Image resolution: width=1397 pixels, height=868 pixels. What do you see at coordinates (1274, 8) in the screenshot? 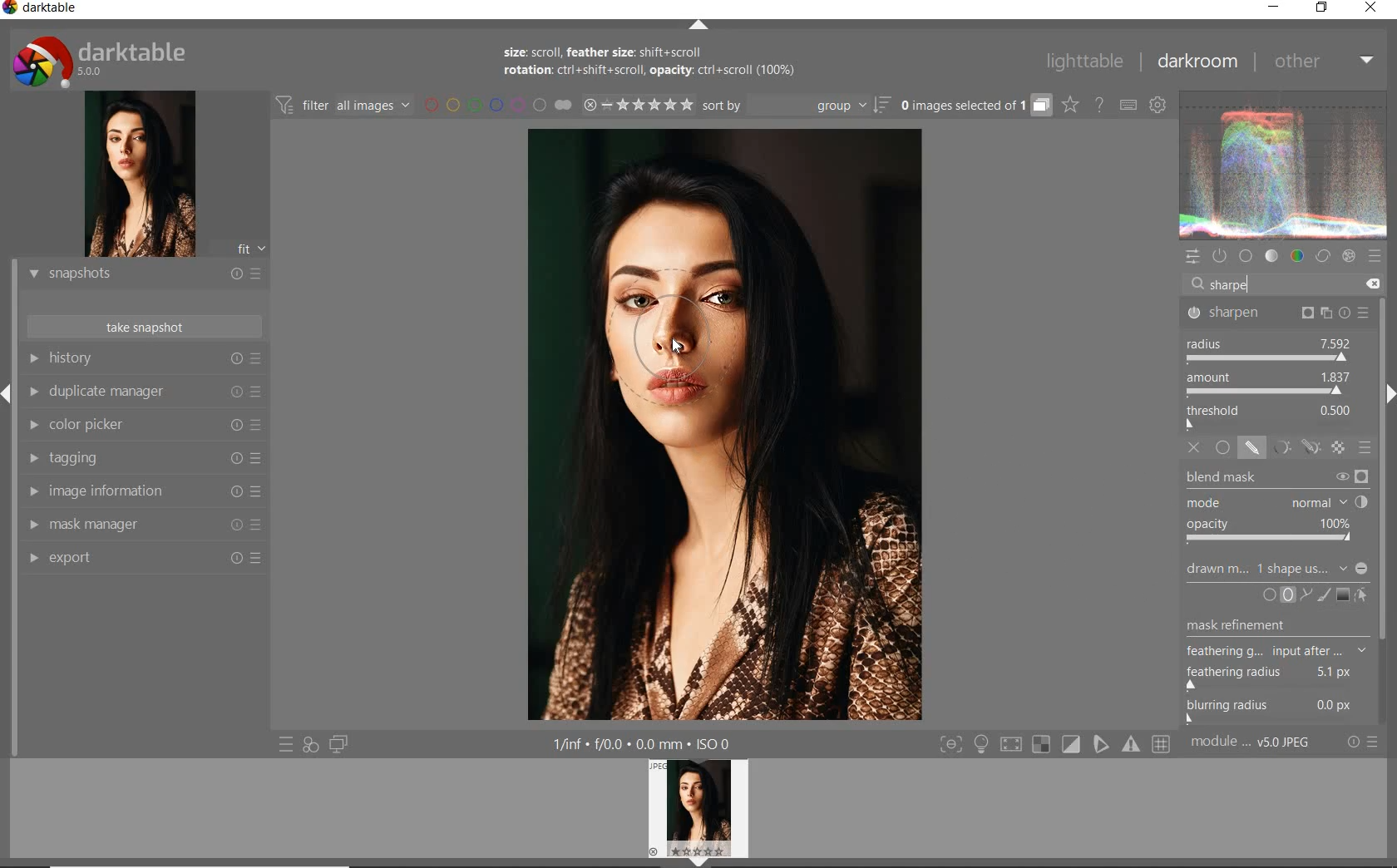
I see `MINIMIZE` at bounding box center [1274, 8].